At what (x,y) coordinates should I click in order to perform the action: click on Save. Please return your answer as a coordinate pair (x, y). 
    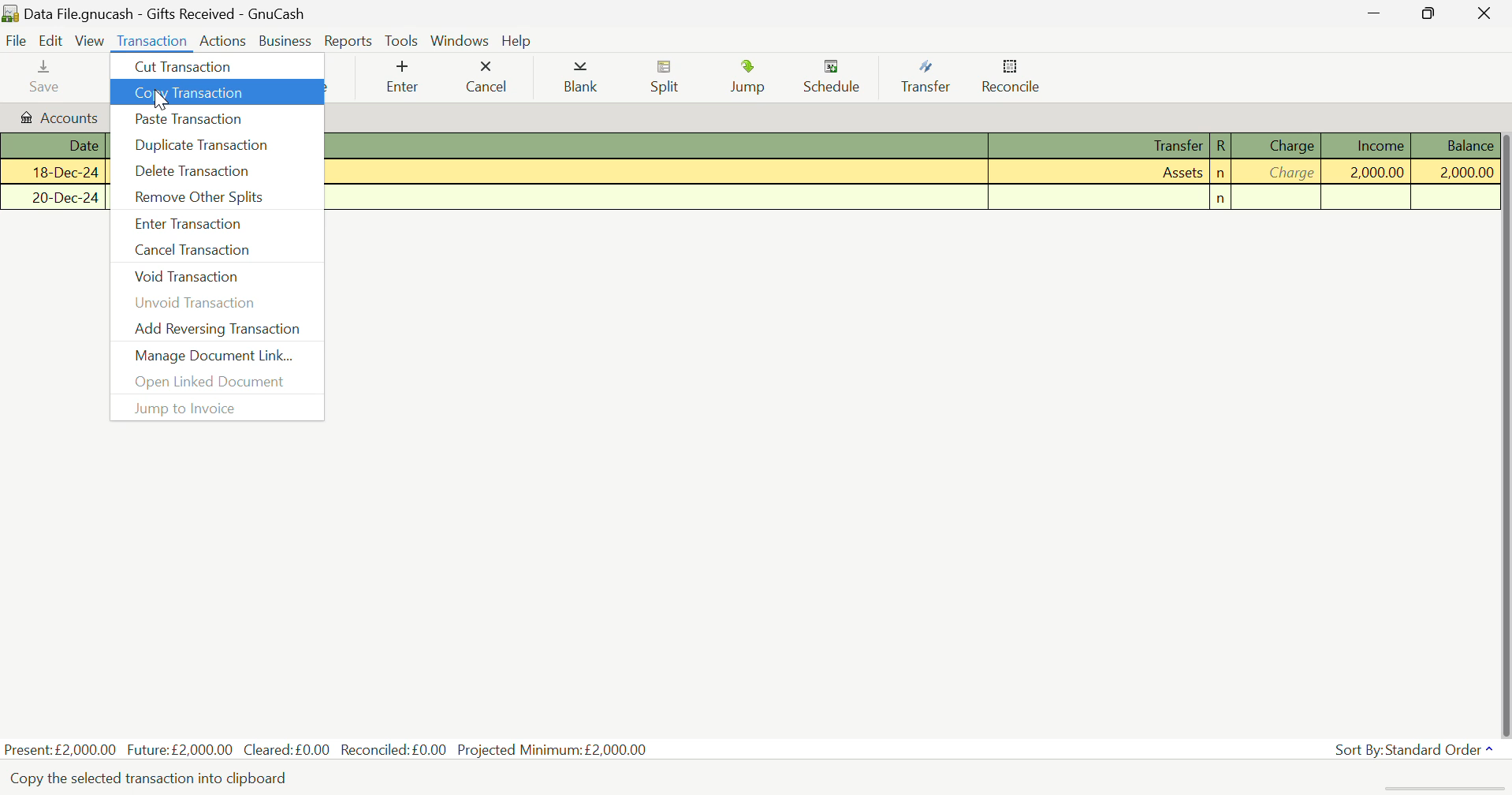
    Looking at the image, I should click on (46, 75).